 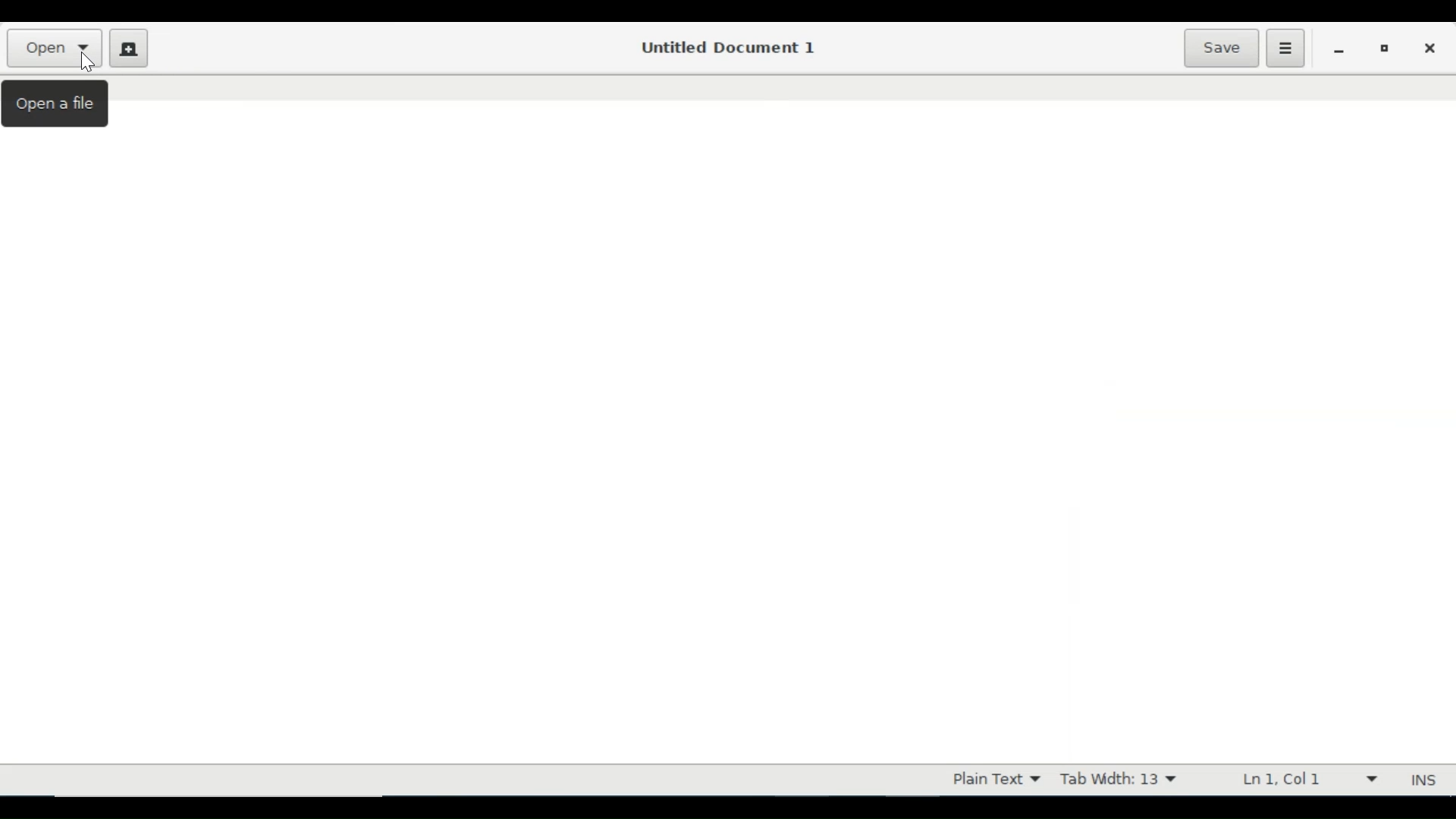 What do you see at coordinates (1428, 46) in the screenshot?
I see `Close` at bounding box center [1428, 46].